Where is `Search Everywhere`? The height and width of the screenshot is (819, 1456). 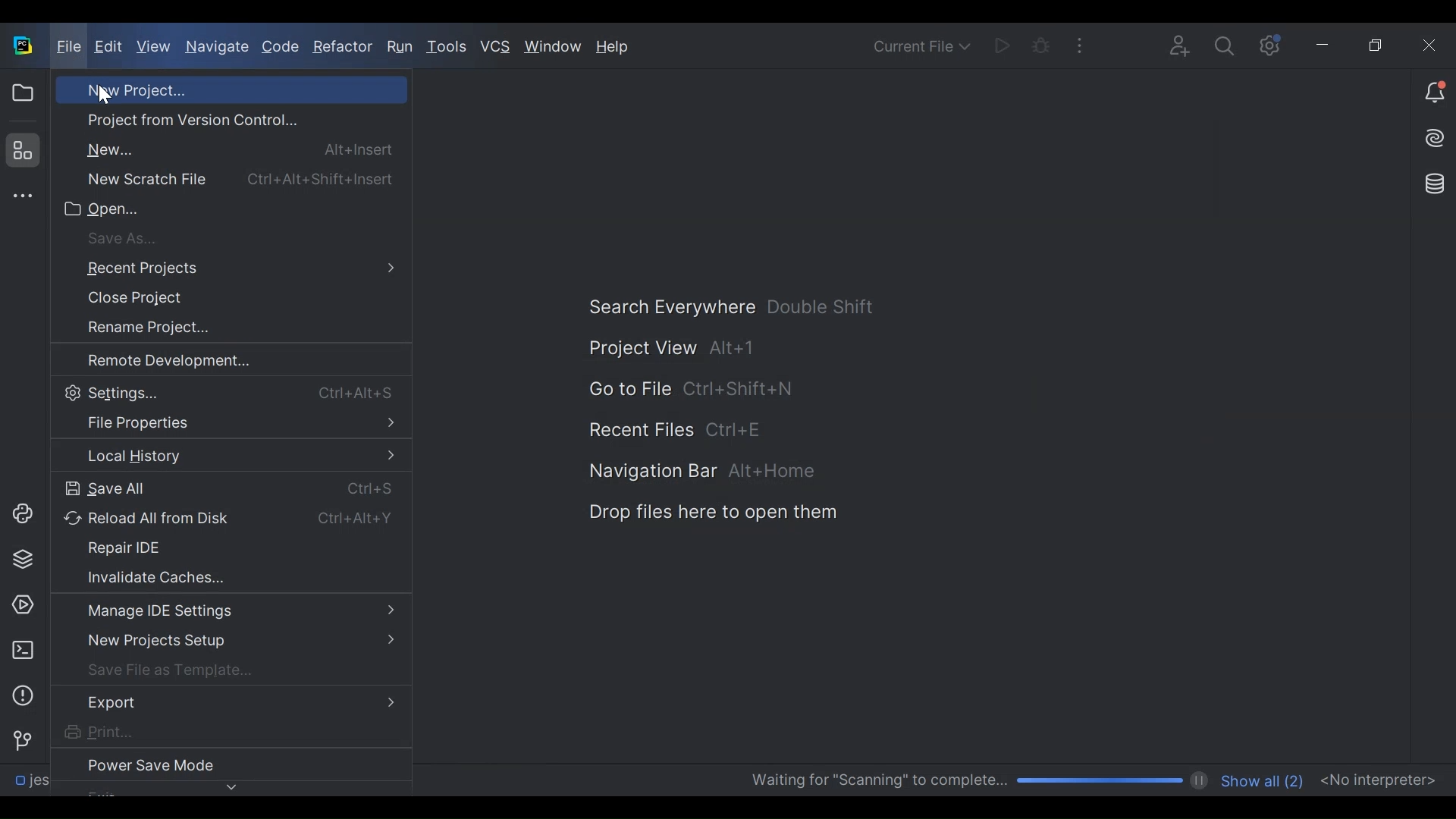
Search Everywhere is located at coordinates (707, 308).